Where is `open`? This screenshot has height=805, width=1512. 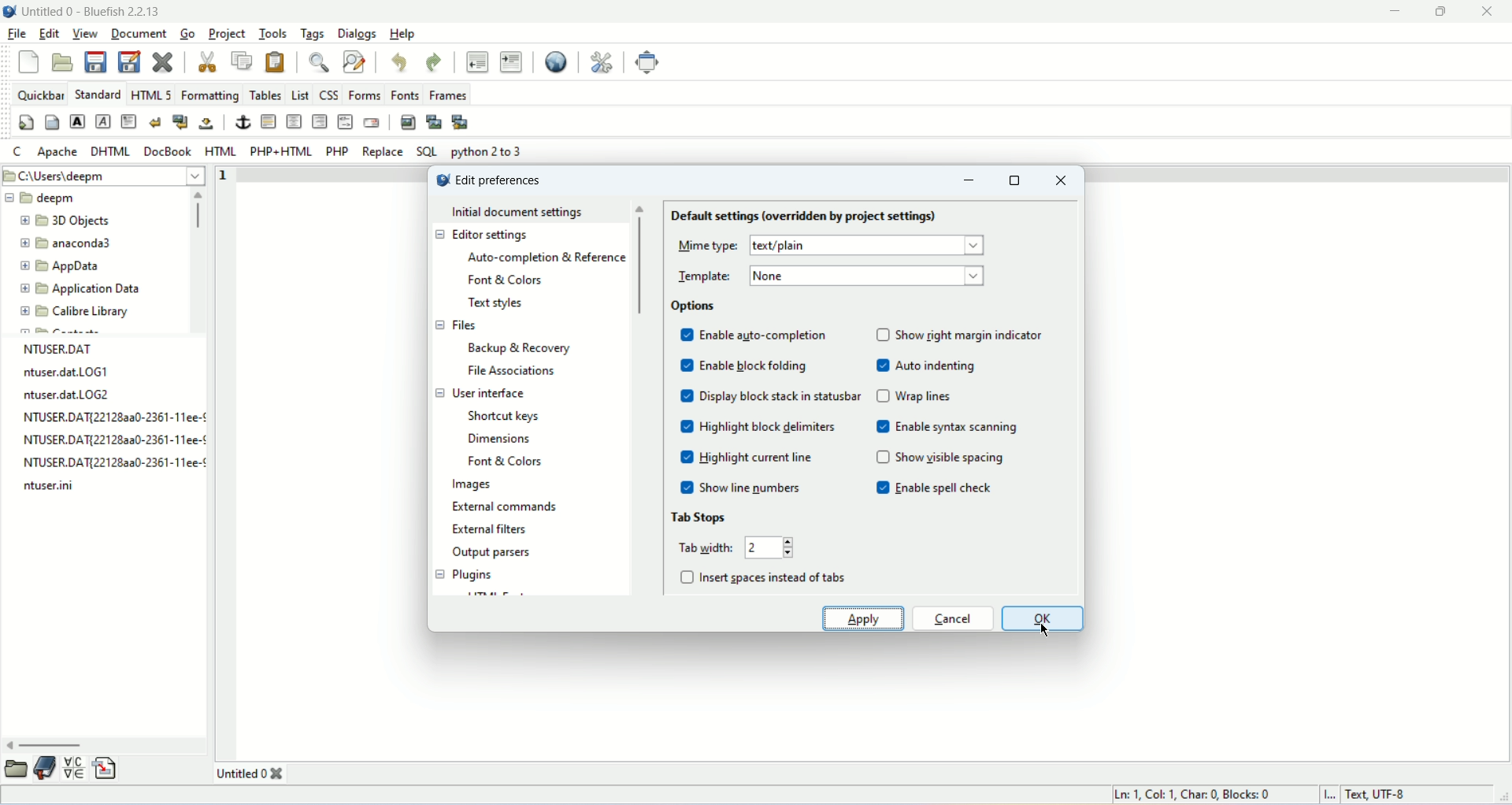
open is located at coordinates (62, 62).